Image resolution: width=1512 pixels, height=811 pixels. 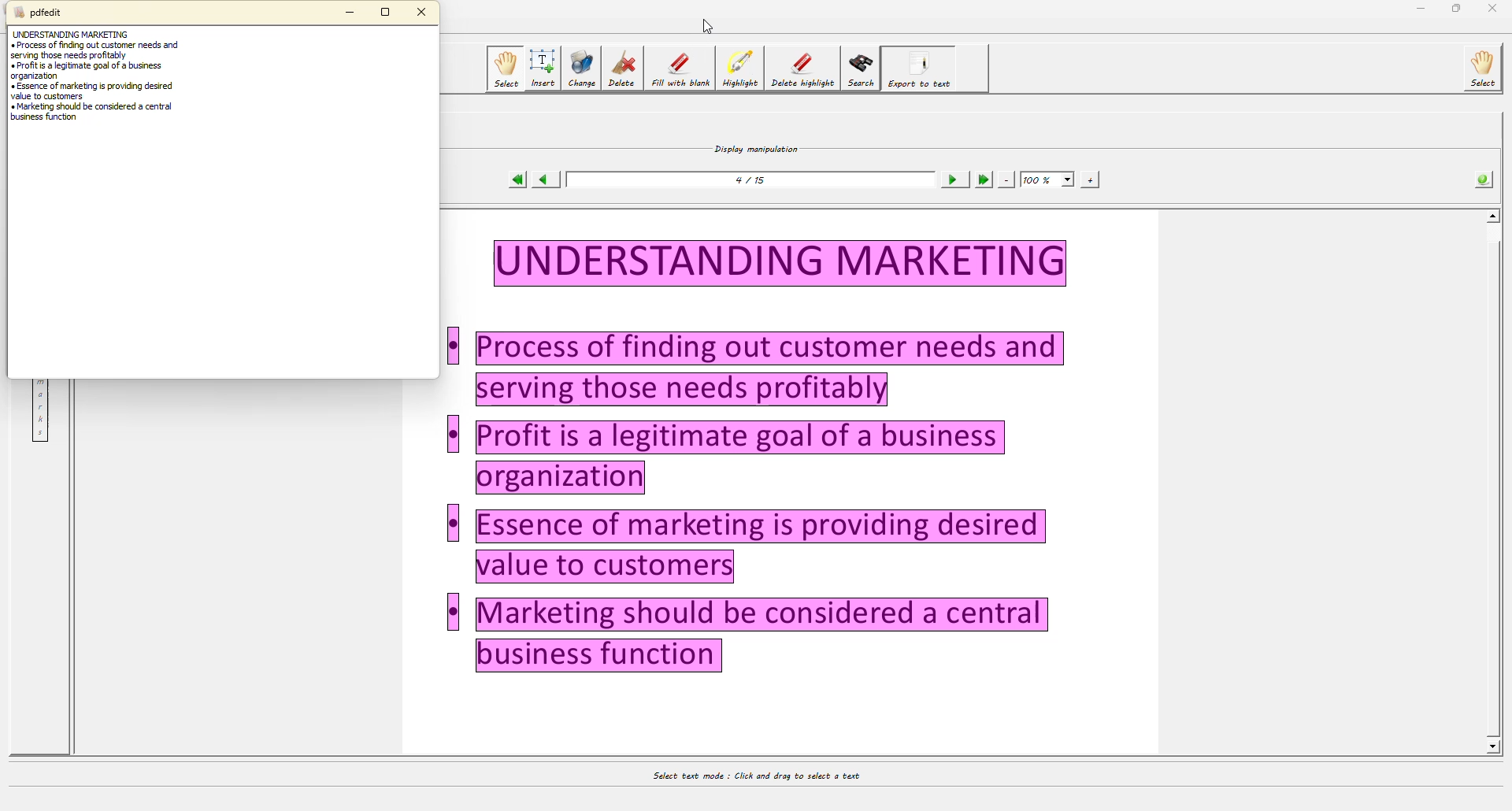 What do you see at coordinates (544, 180) in the screenshot?
I see `previous page` at bounding box center [544, 180].